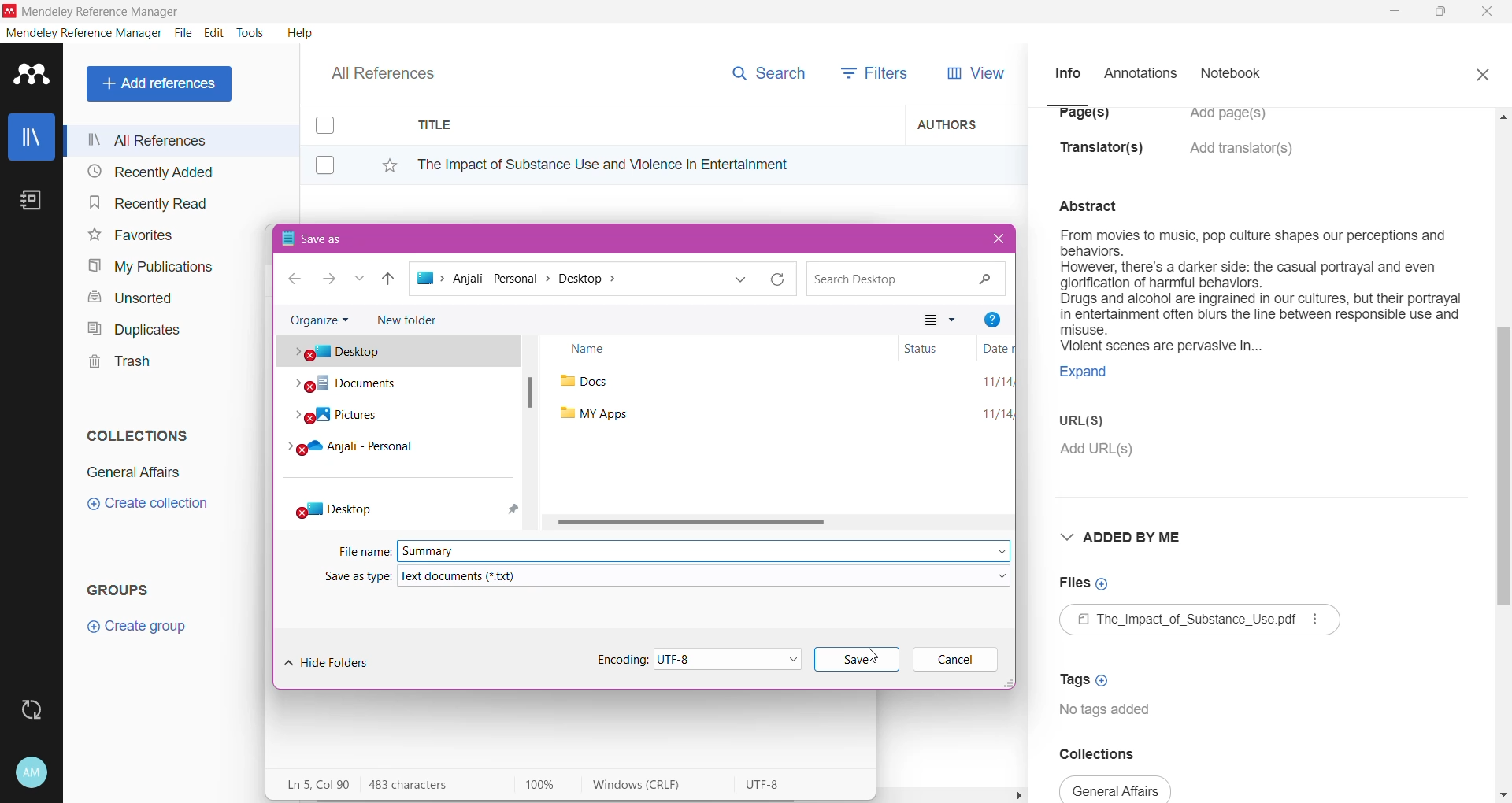 The image size is (1512, 803). Describe the element at coordinates (1109, 753) in the screenshot. I see `Collections` at that location.